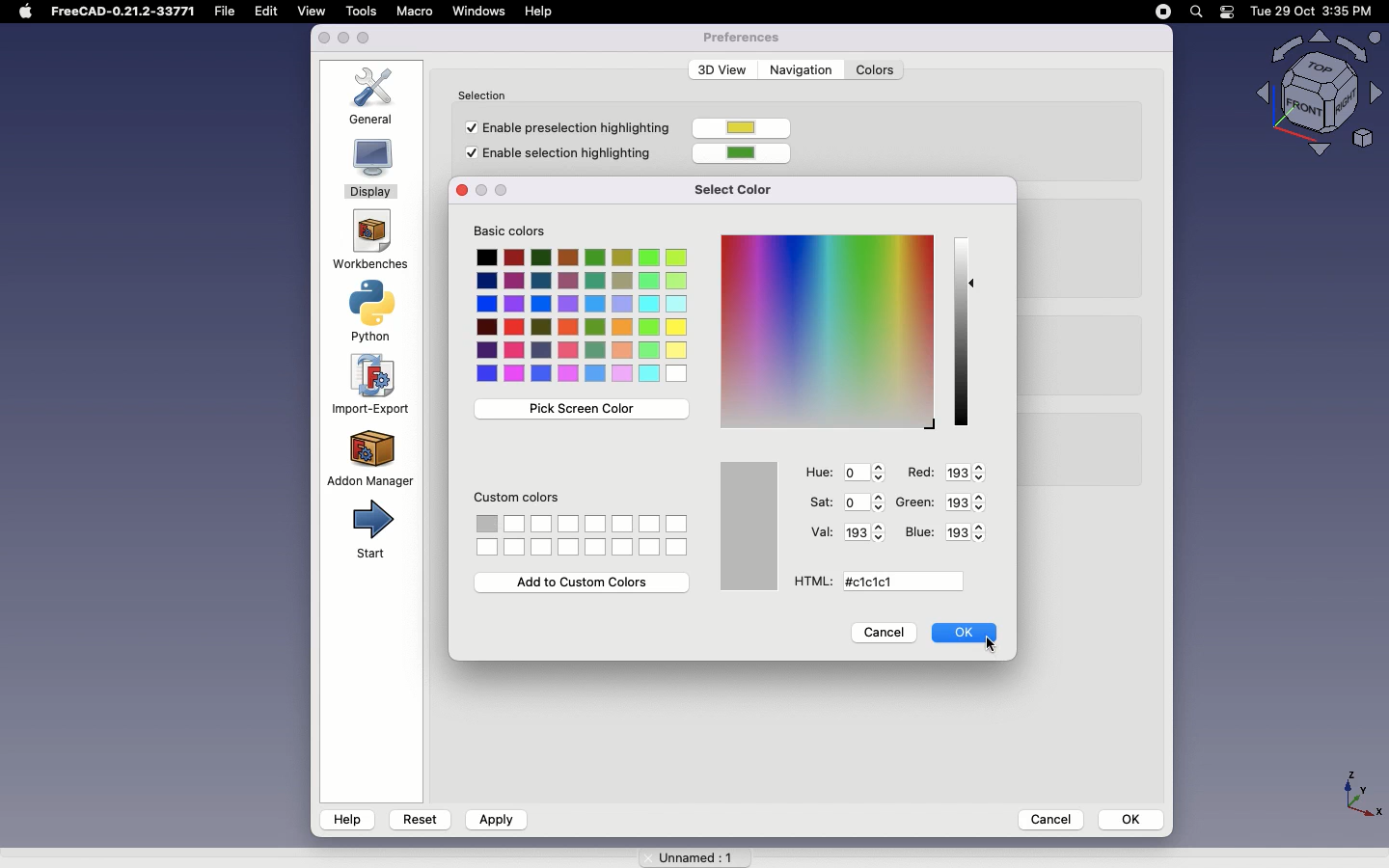 The image size is (1389, 868). I want to click on maximise, so click(367, 38).